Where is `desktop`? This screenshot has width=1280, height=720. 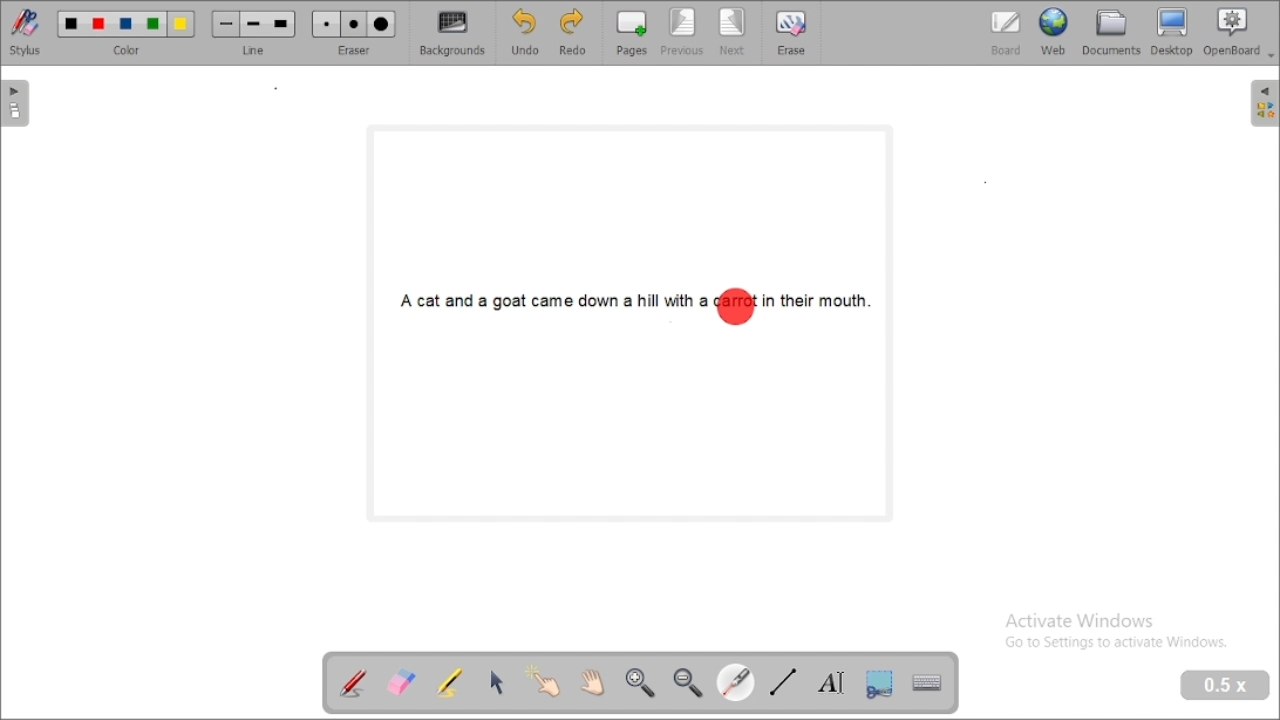 desktop is located at coordinates (1172, 32).